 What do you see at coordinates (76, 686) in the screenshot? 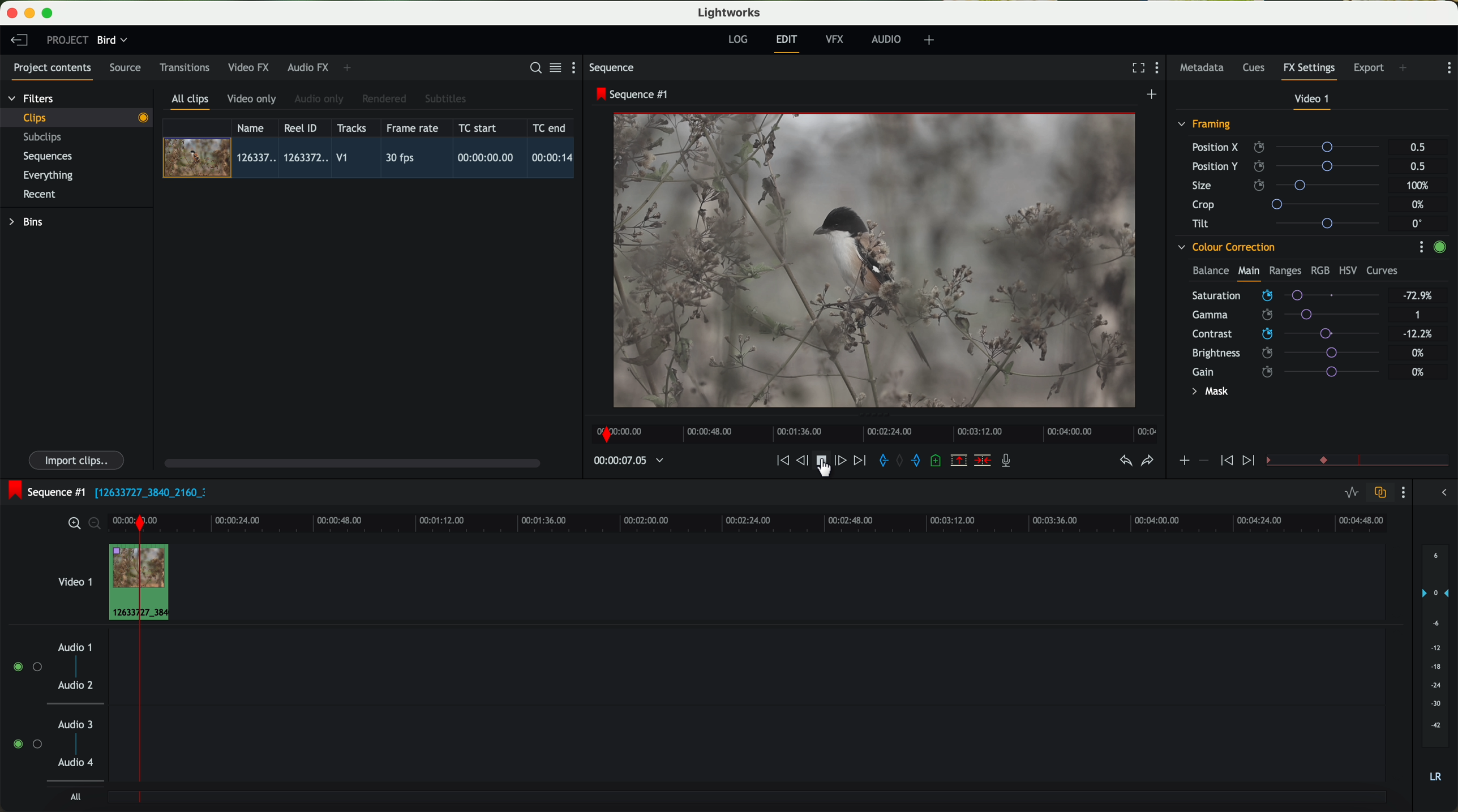
I see `audio 2` at bounding box center [76, 686].